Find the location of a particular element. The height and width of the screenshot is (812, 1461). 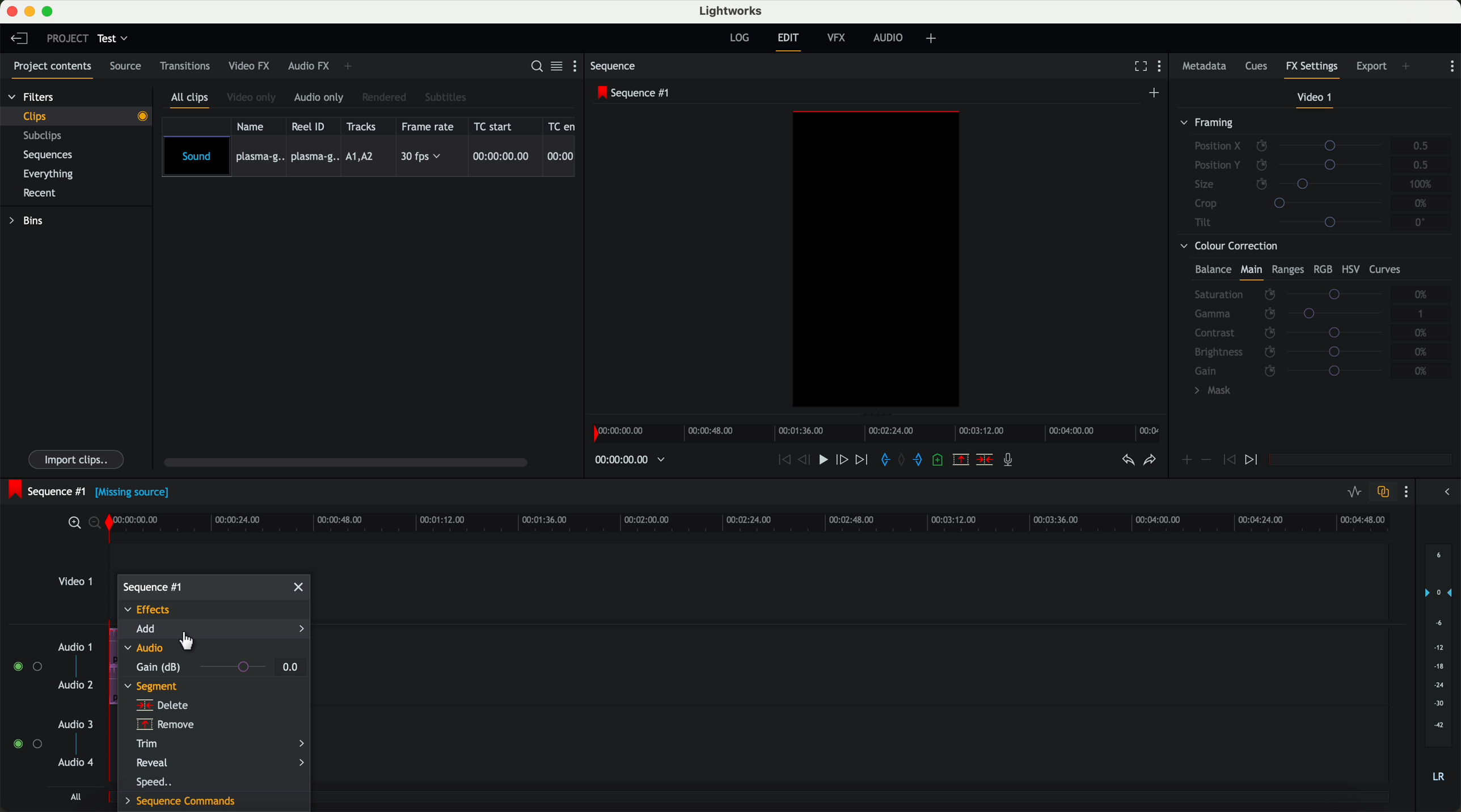

workspace is located at coordinates (876, 261).